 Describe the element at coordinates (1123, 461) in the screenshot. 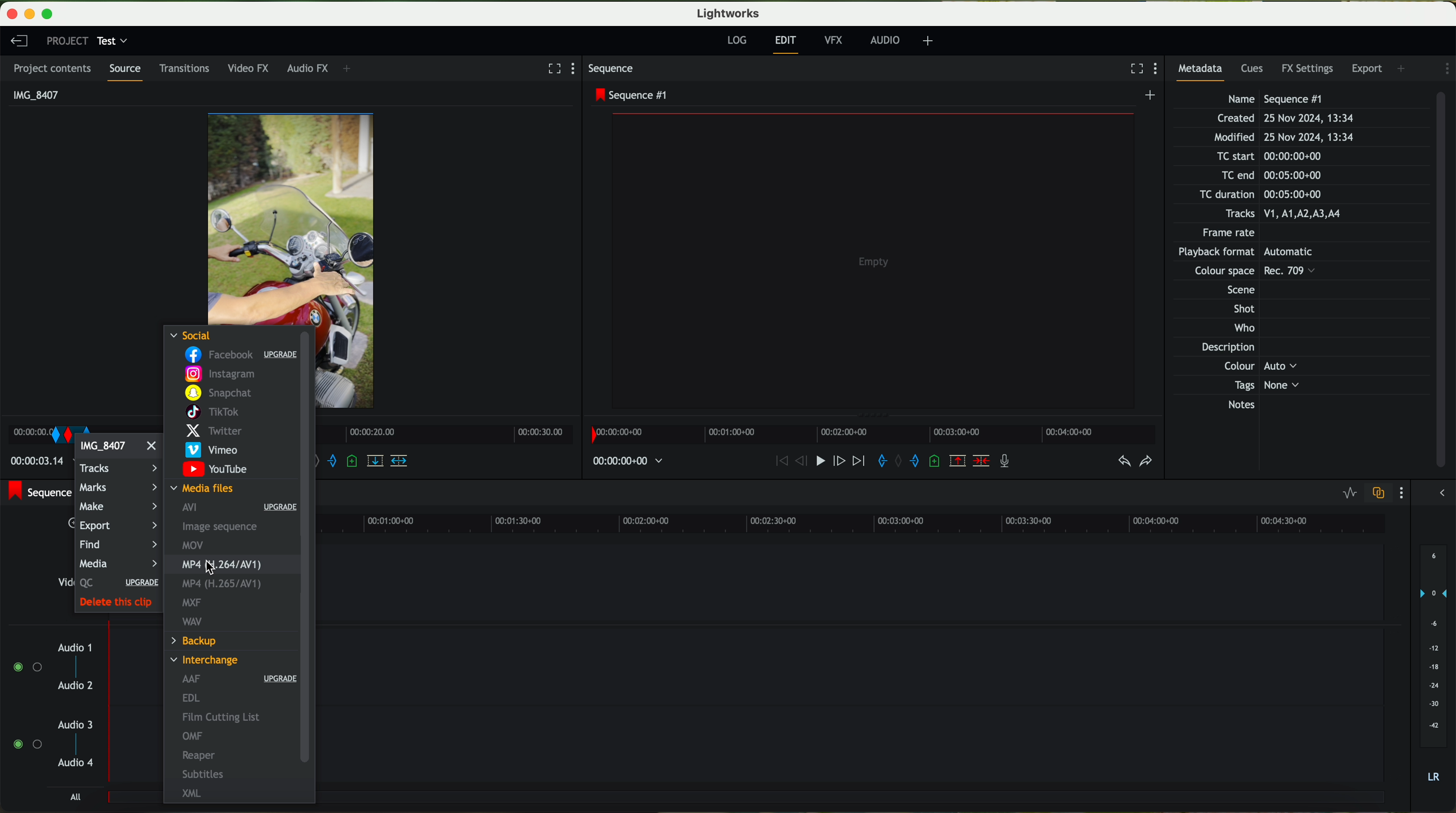

I see `undo` at that location.